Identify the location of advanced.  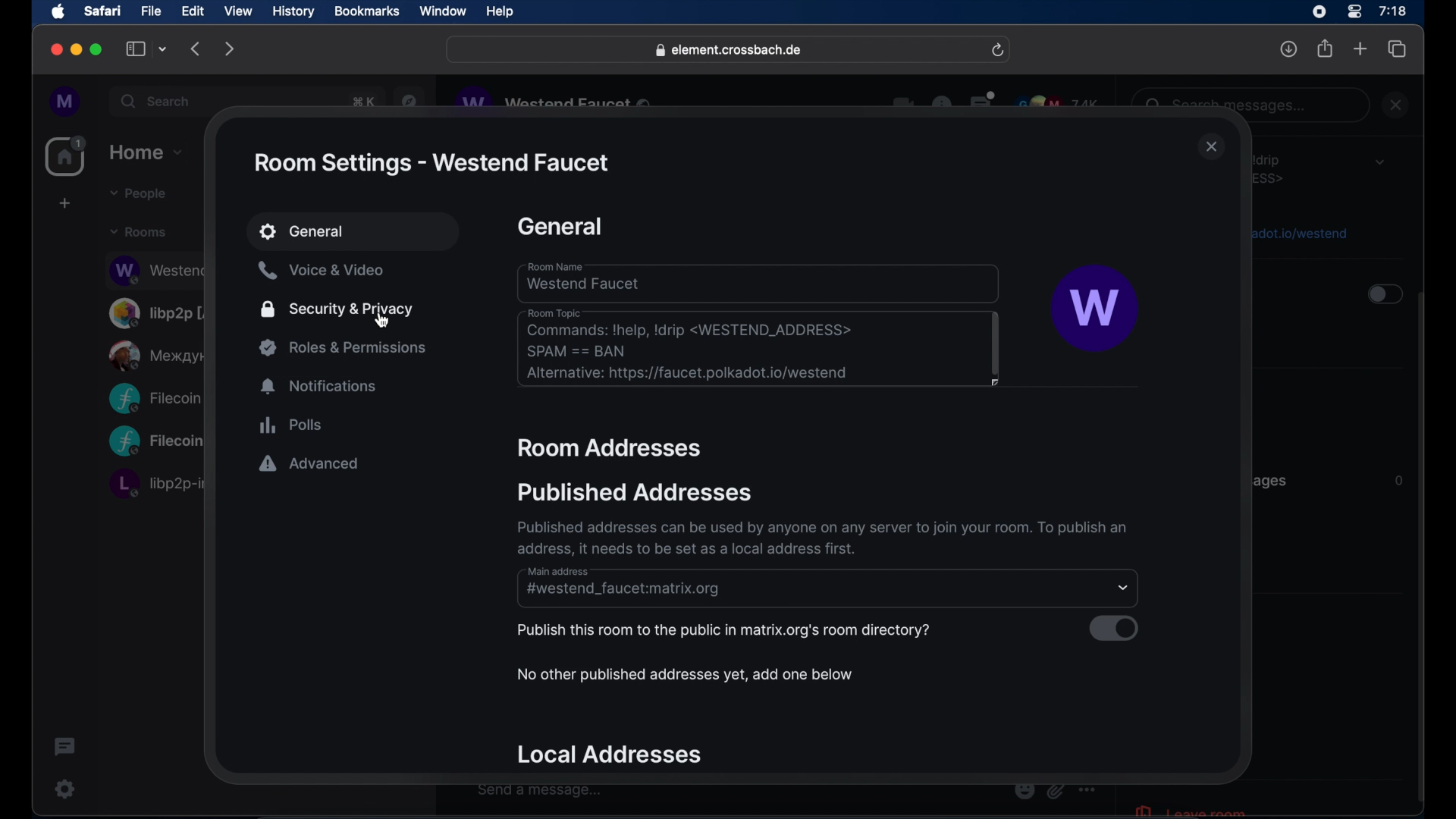
(309, 465).